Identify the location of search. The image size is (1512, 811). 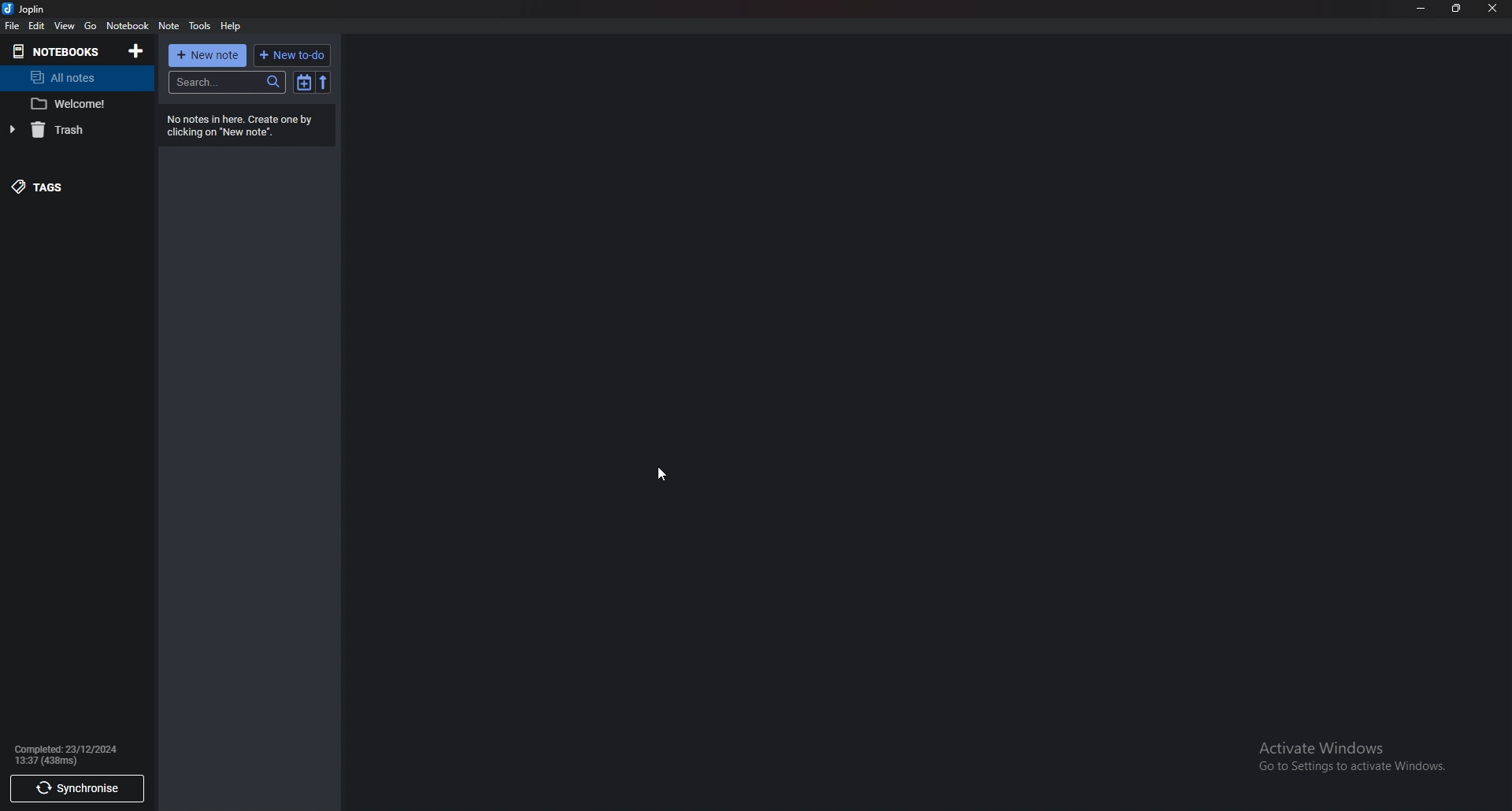
(226, 82).